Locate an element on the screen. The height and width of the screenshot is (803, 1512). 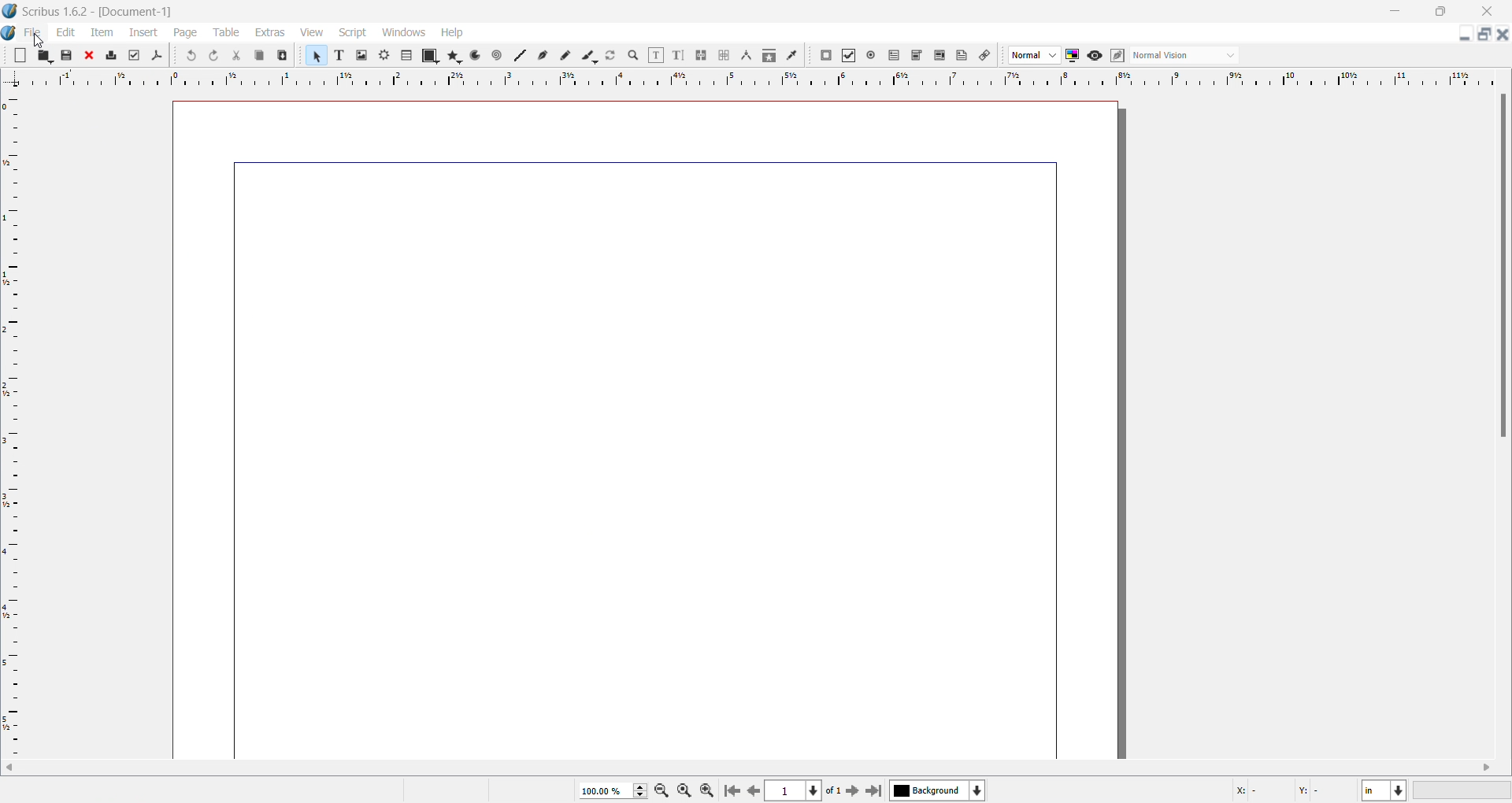
icon is located at coordinates (697, 57).